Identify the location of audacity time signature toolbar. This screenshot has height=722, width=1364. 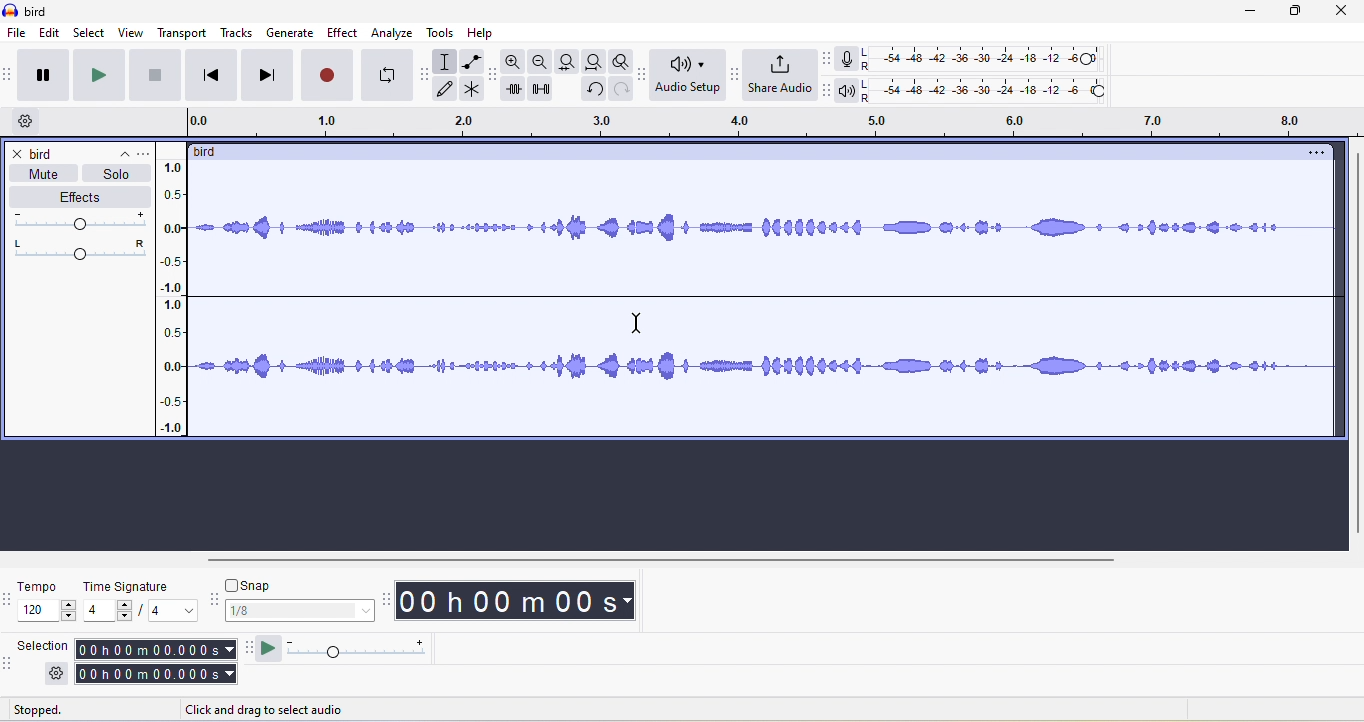
(9, 600).